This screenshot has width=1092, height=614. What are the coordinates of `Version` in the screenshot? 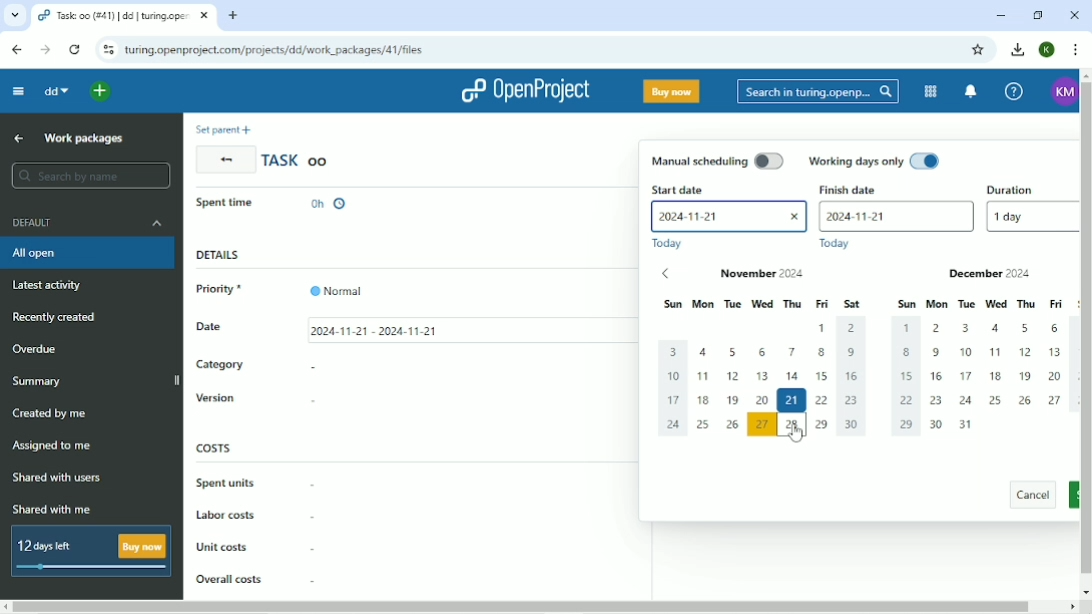 It's located at (215, 398).